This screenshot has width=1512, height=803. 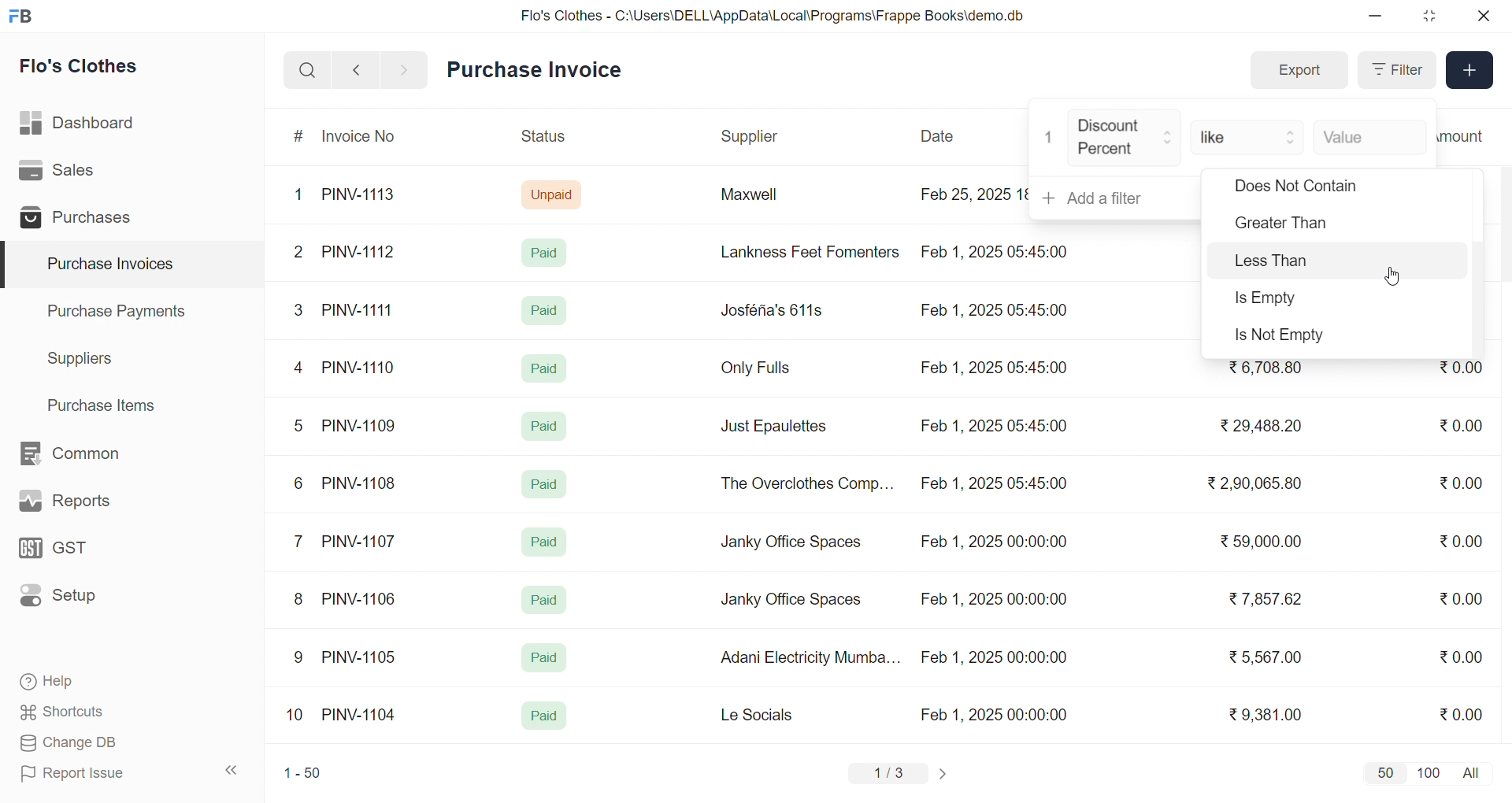 What do you see at coordinates (792, 543) in the screenshot?
I see `Janky Office Spaces` at bounding box center [792, 543].